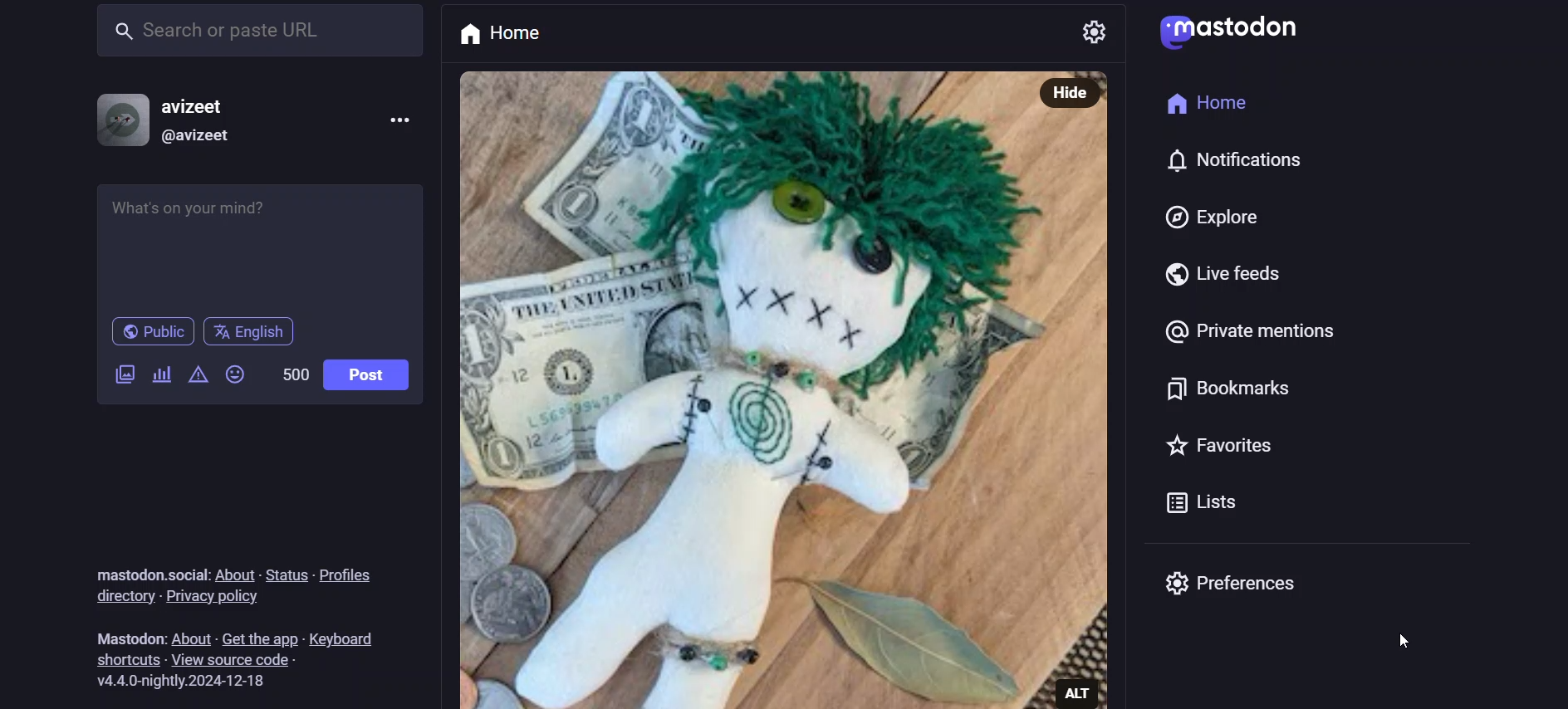 This screenshot has height=709, width=1568. Describe the element at coordinates (192, 636) in the screenshot. I see `About` at that location.